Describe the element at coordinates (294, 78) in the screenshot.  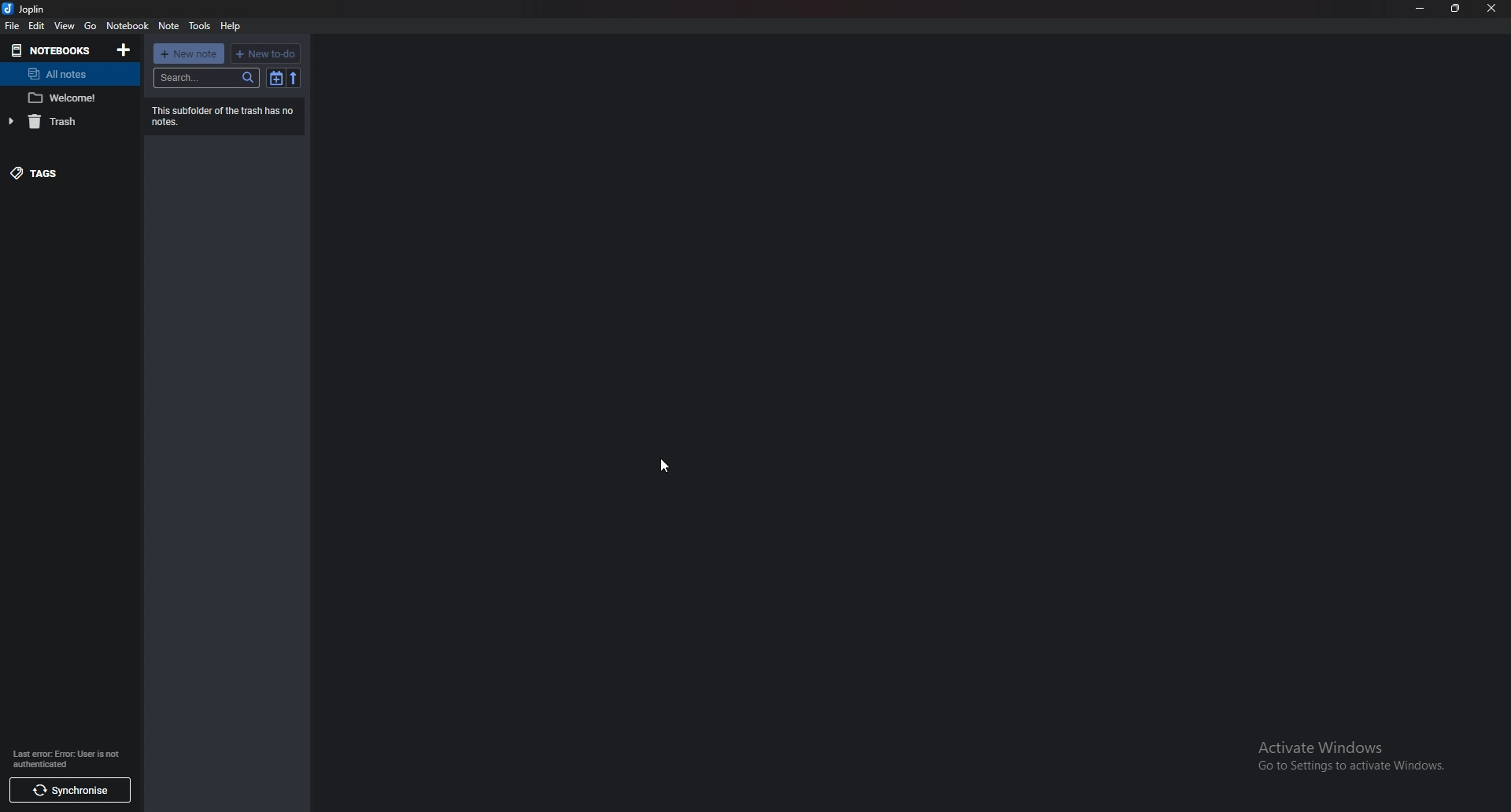
I see `reverse sort order` at that location.